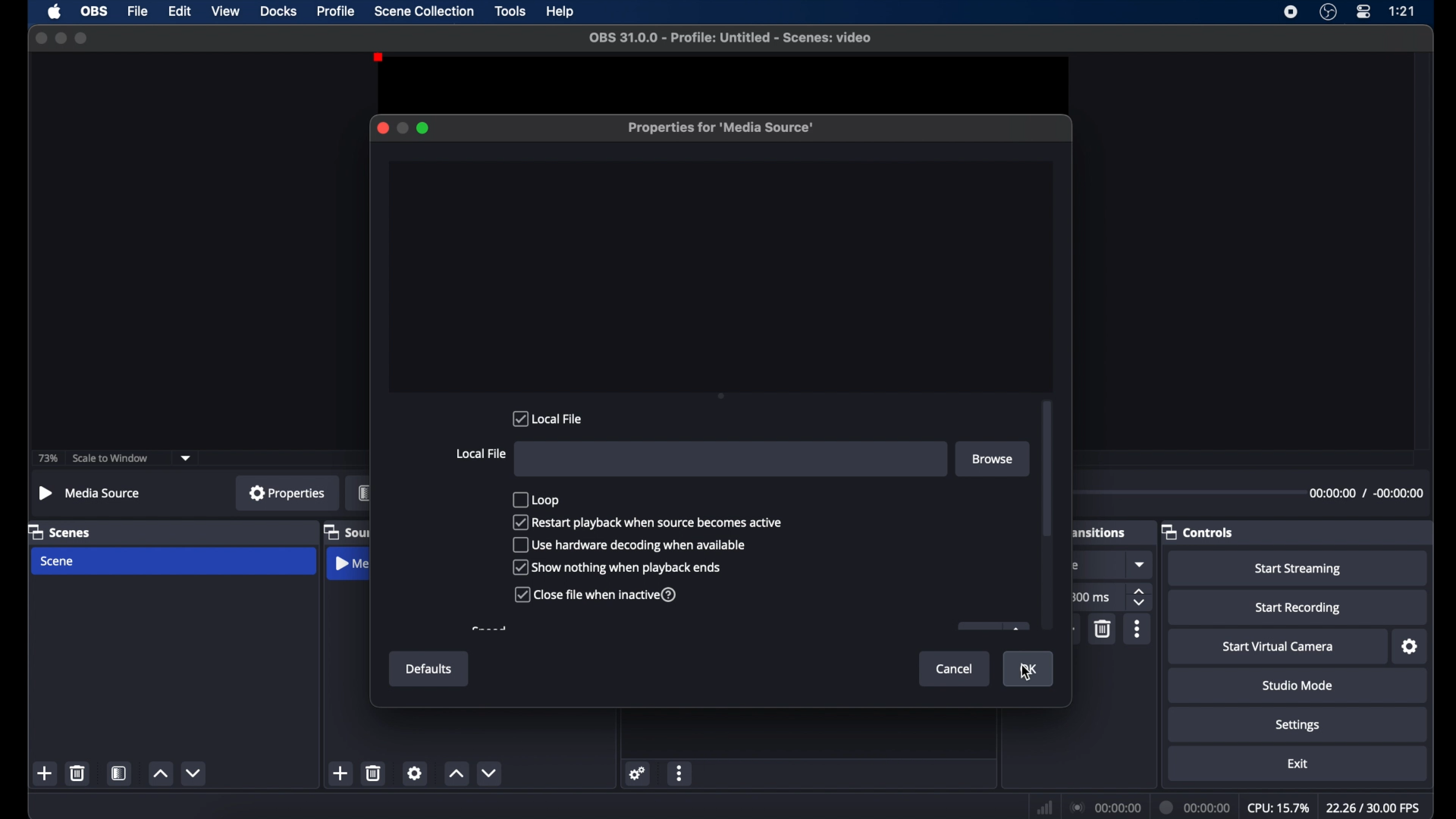  Describe the element at coordinates (481, 453) in the screenshot. I see `local file` at that location.